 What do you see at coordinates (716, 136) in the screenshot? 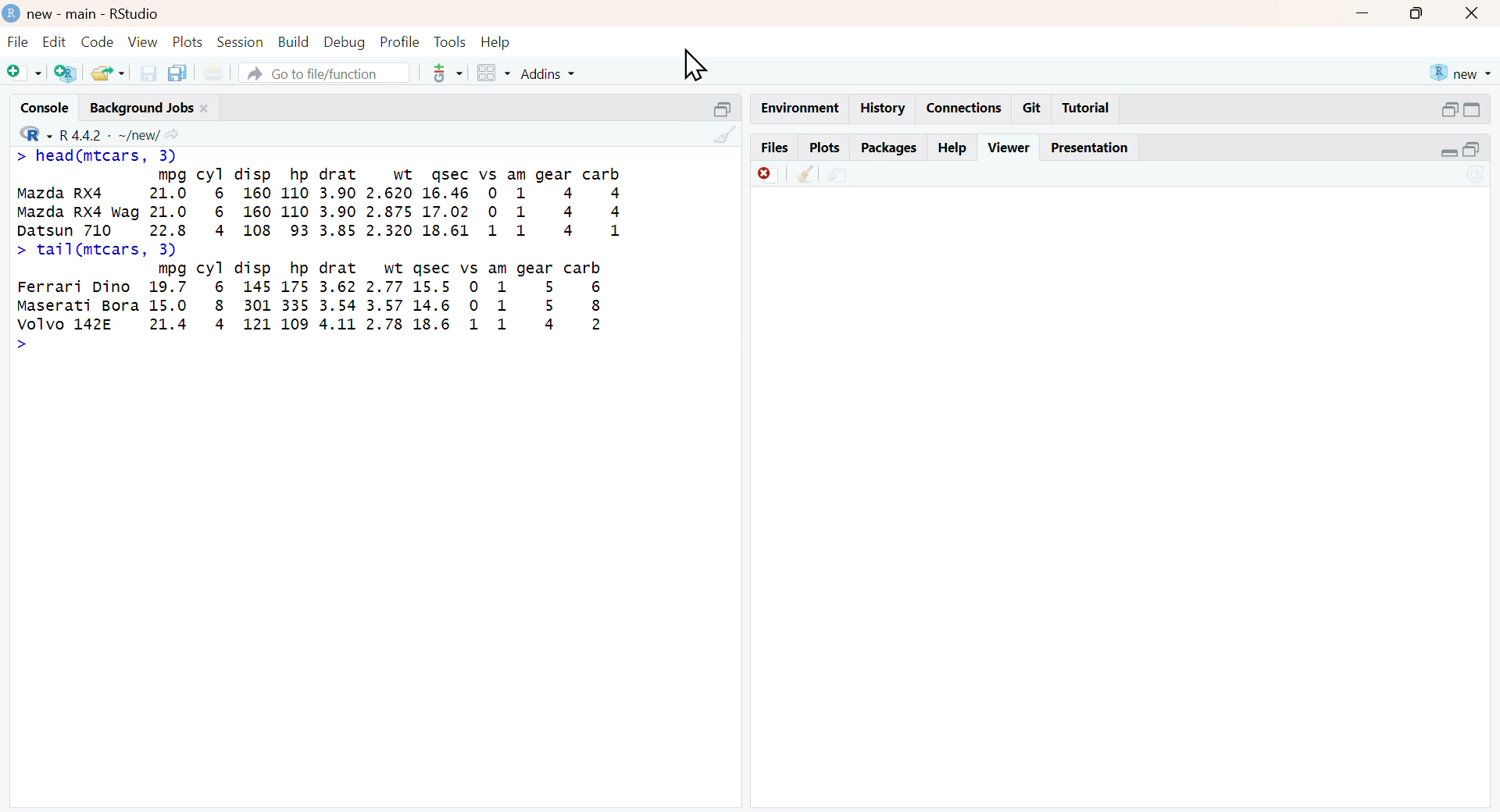
I see `clear console` at bounding box center [716, 136].